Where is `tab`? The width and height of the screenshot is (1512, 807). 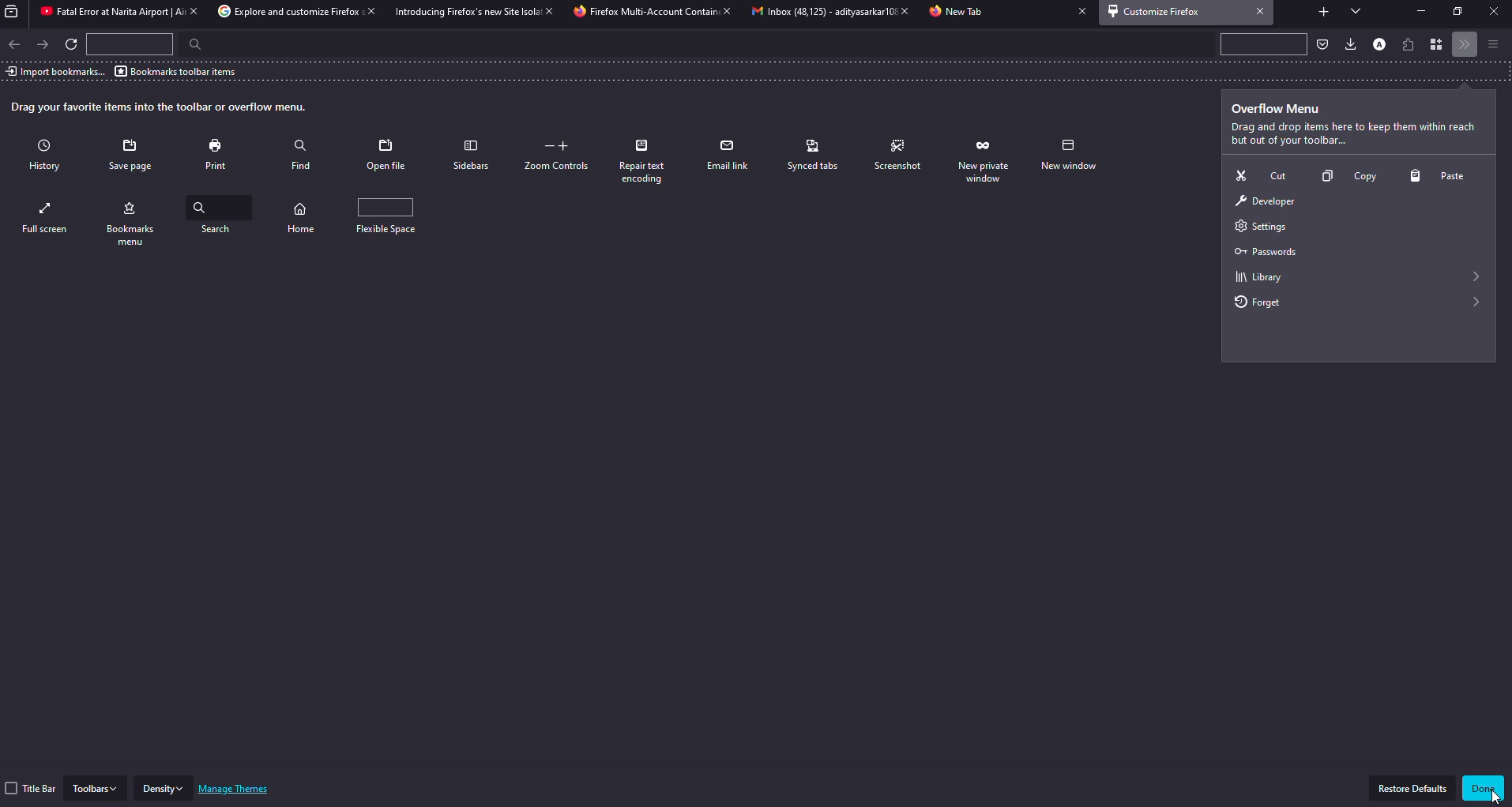 tab is located at coordinates (959, 13).